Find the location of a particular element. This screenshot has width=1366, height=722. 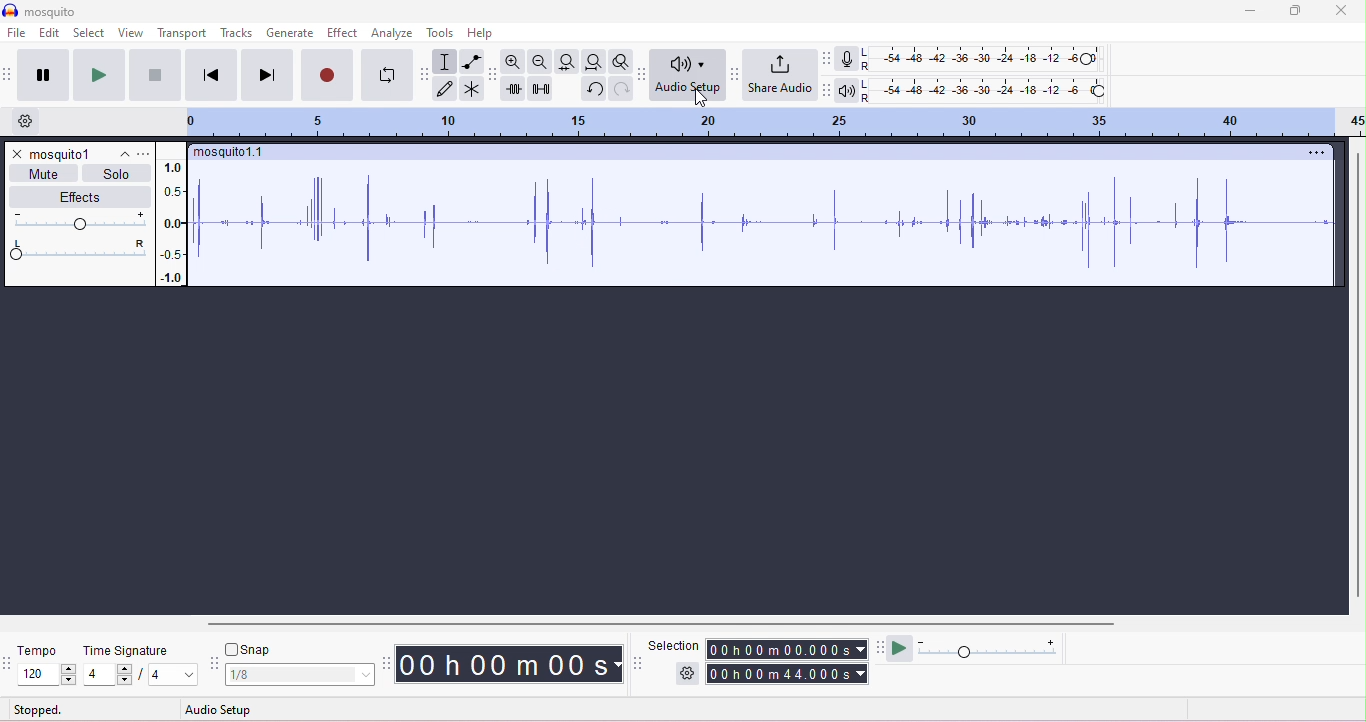

selection is located at coordinates (444, 62).